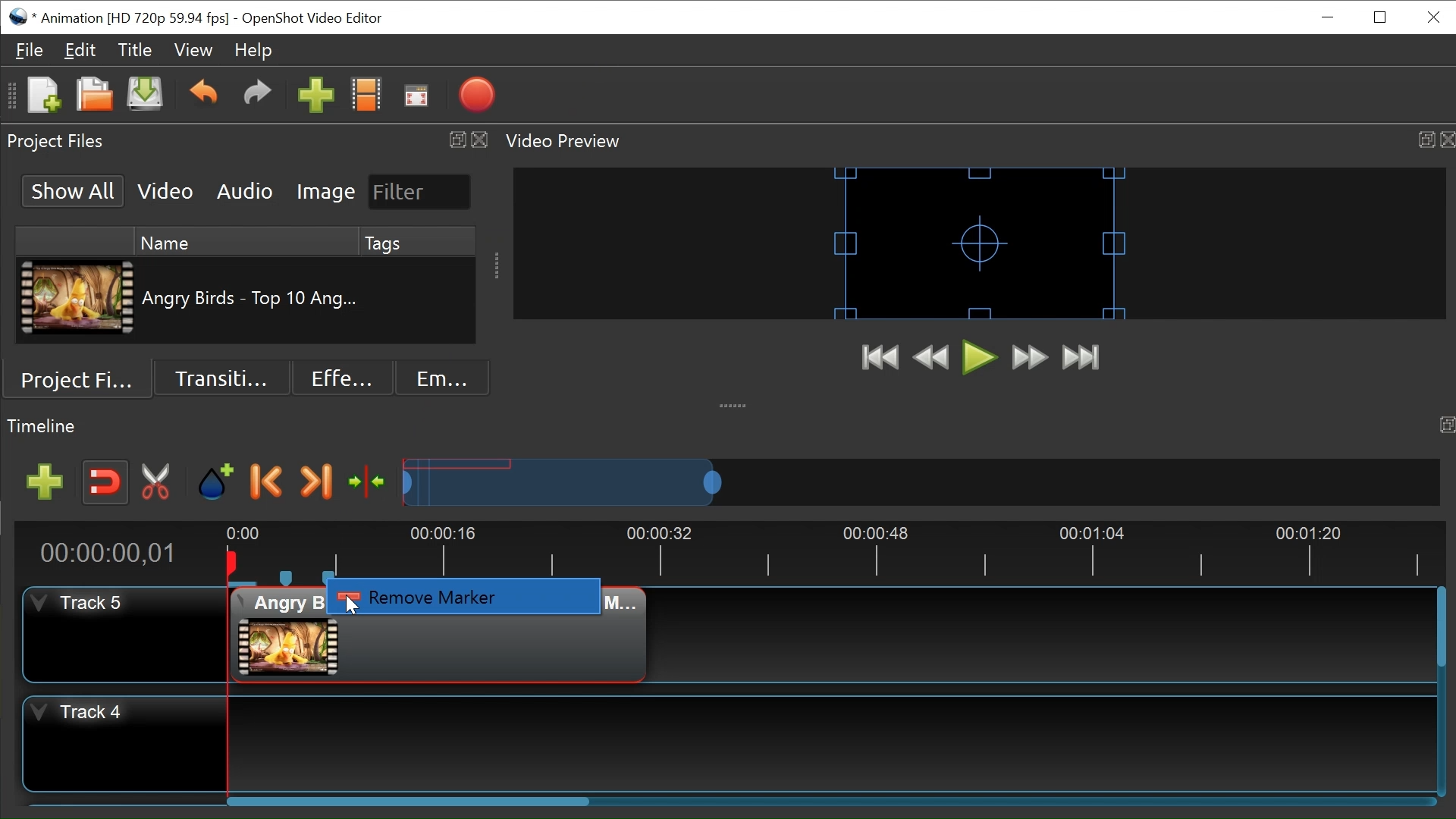 This screenshot has height=819, width=1456. I want to click on Open Project, so click(94, 97).